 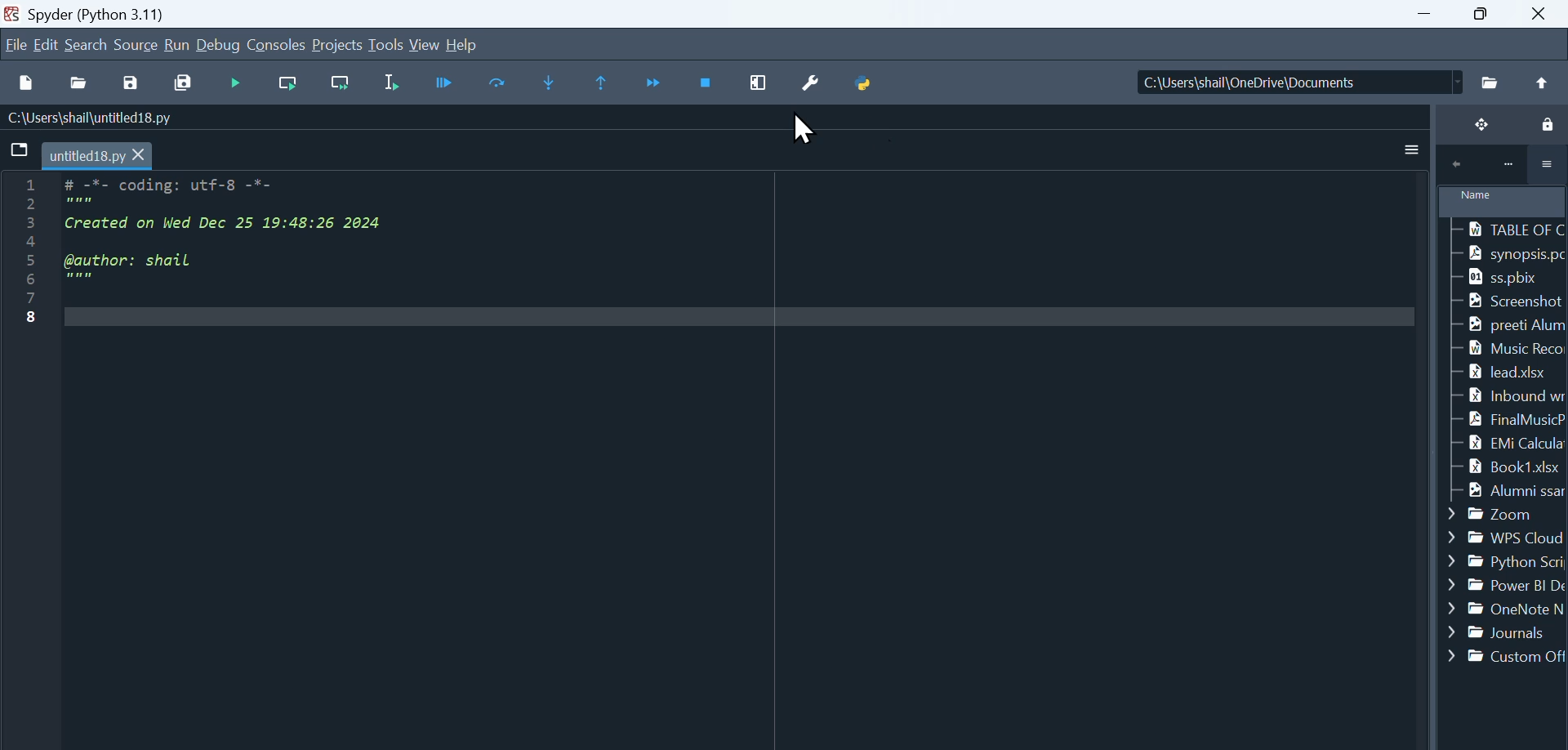 I want to click on Journals, so click(x=1506, y=631).